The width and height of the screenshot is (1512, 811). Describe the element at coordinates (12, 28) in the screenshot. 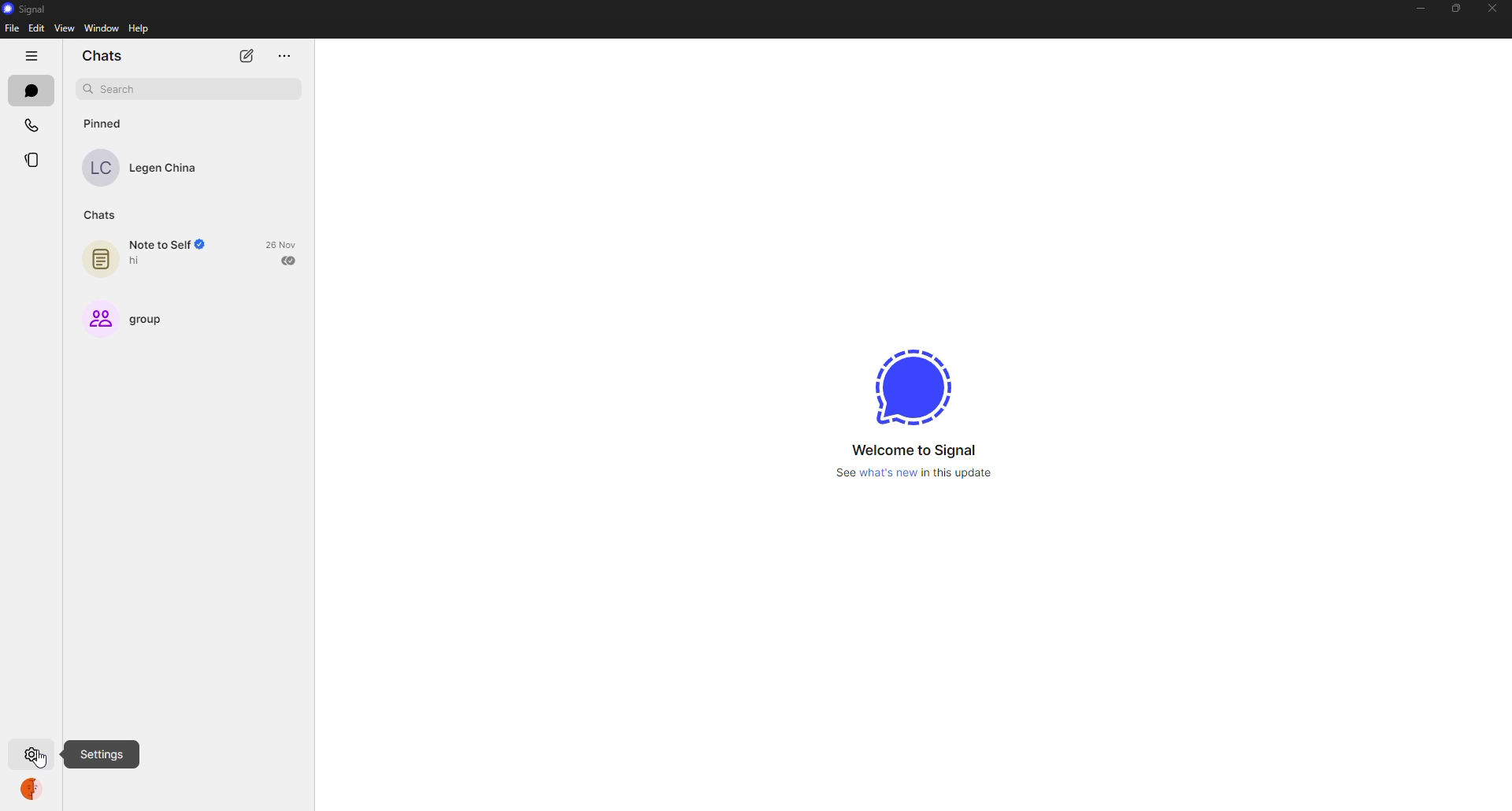

I see `file` at that location.